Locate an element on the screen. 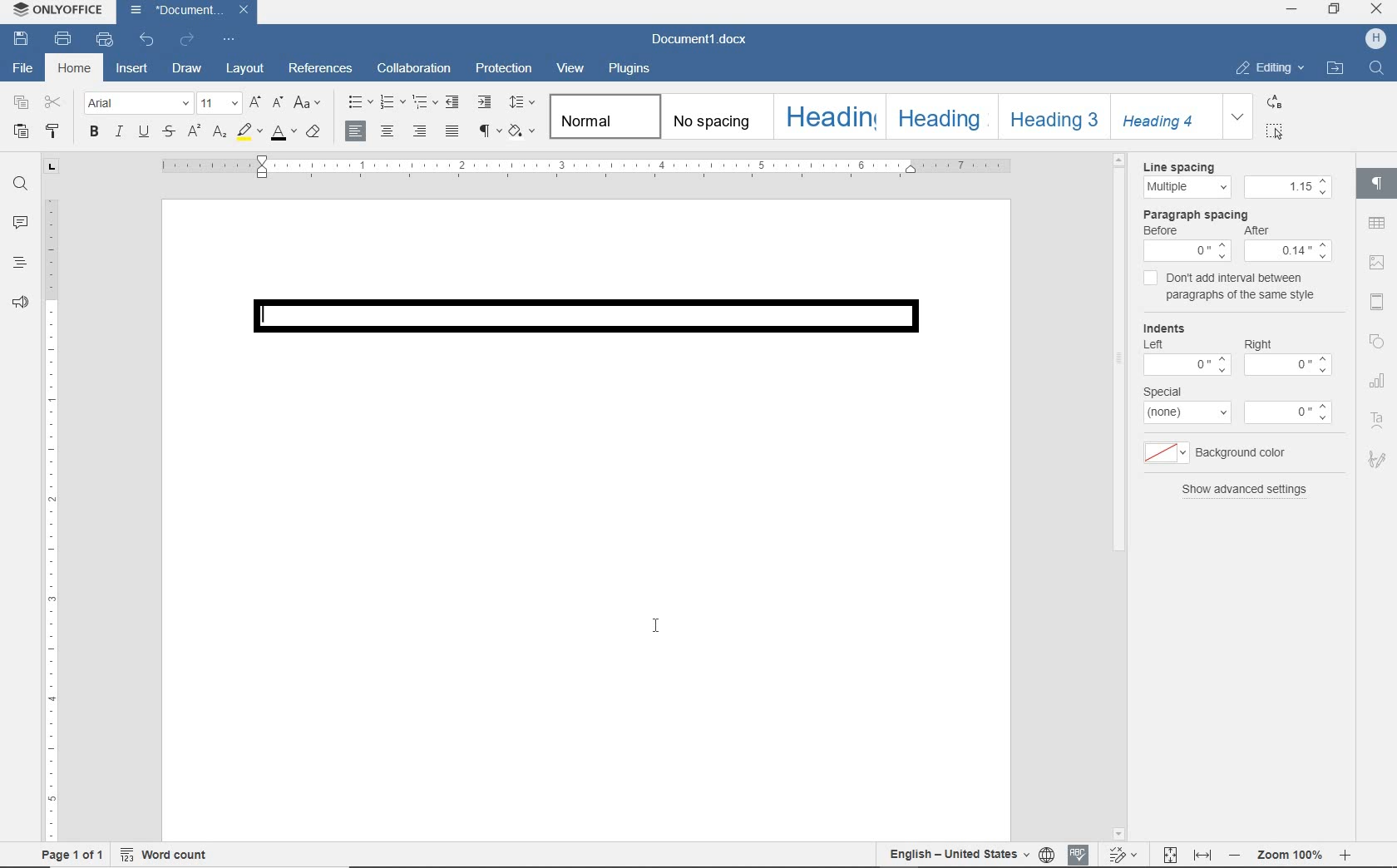 The height and width of the screenshot is (868, 1397). - Zoom 100% + is located at coordinates (1291, 856).